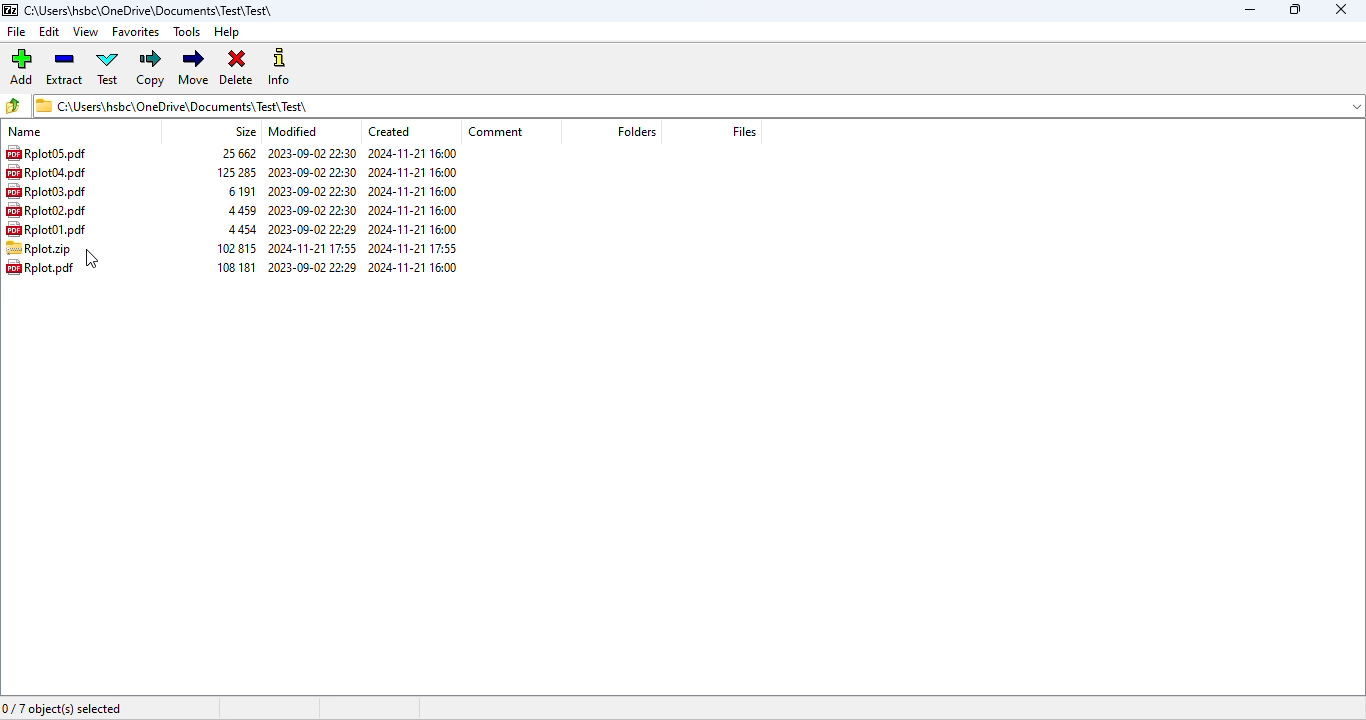 This screenshot has width=1366, height=720. I want to click on 0/7 object(s) selected, so click(63, 710).